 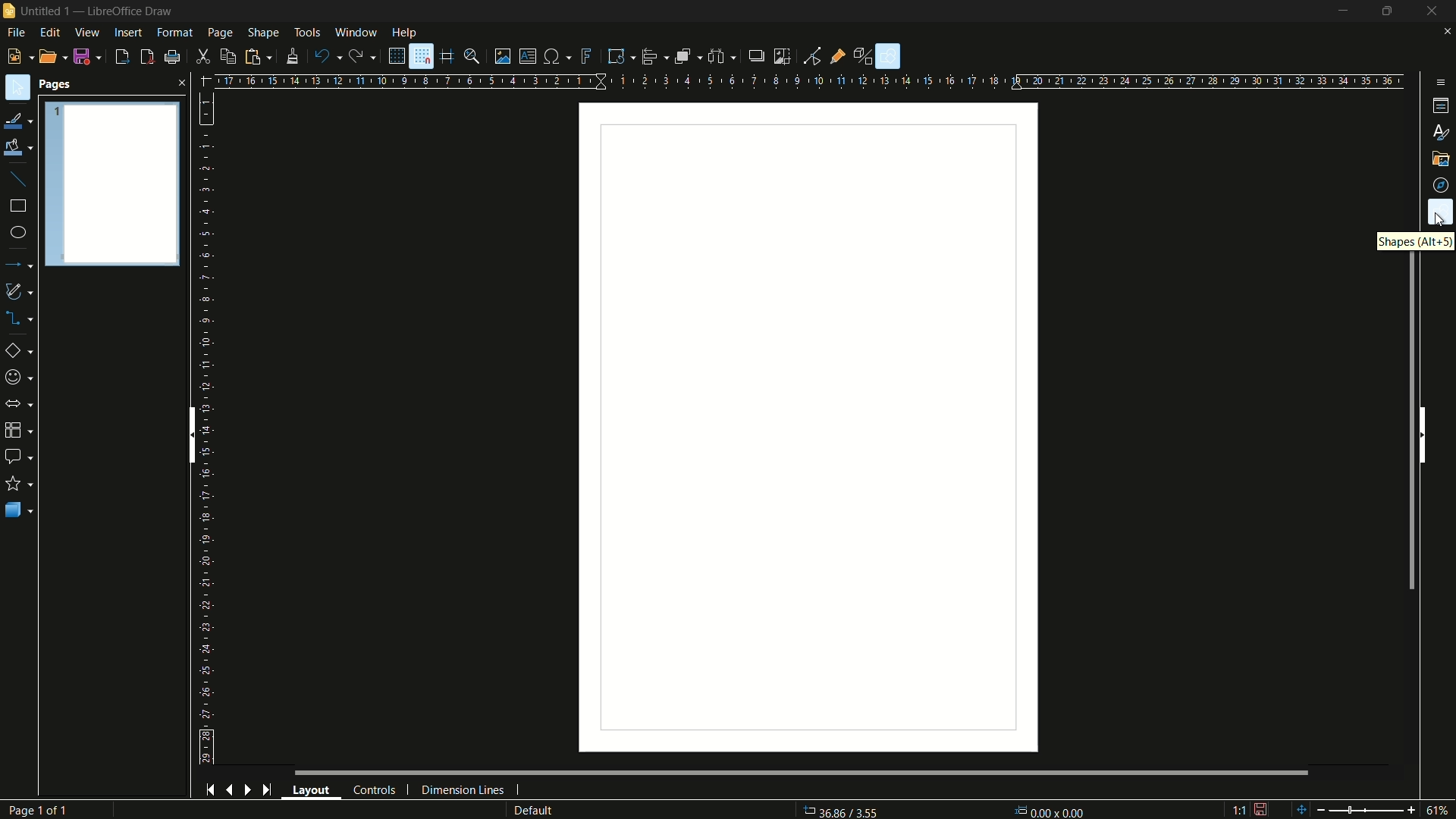 I want to click on symbol shapes, so click(x=20, y=378).